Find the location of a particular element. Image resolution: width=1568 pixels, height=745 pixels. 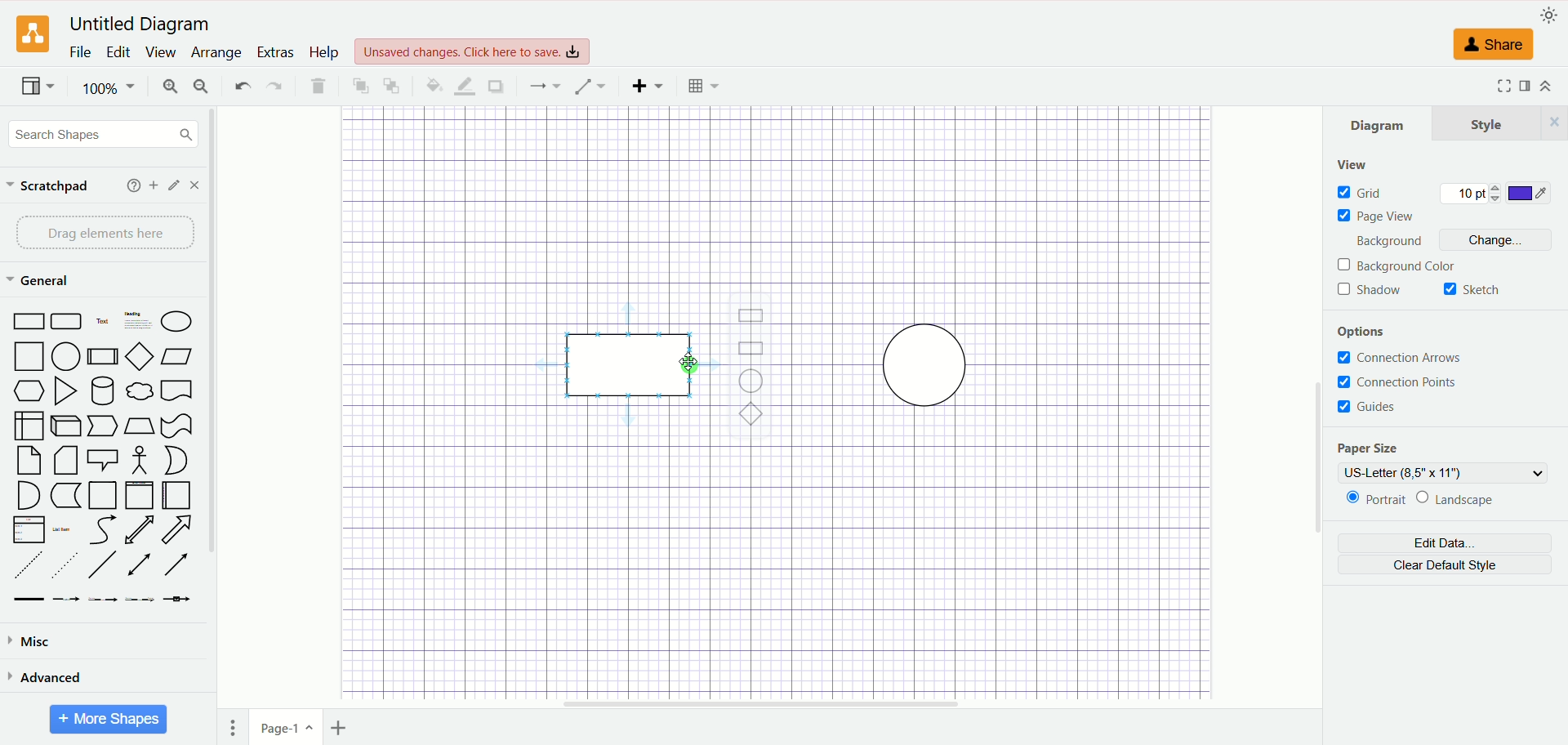

Ellipse is located at coordinates (176, 323).